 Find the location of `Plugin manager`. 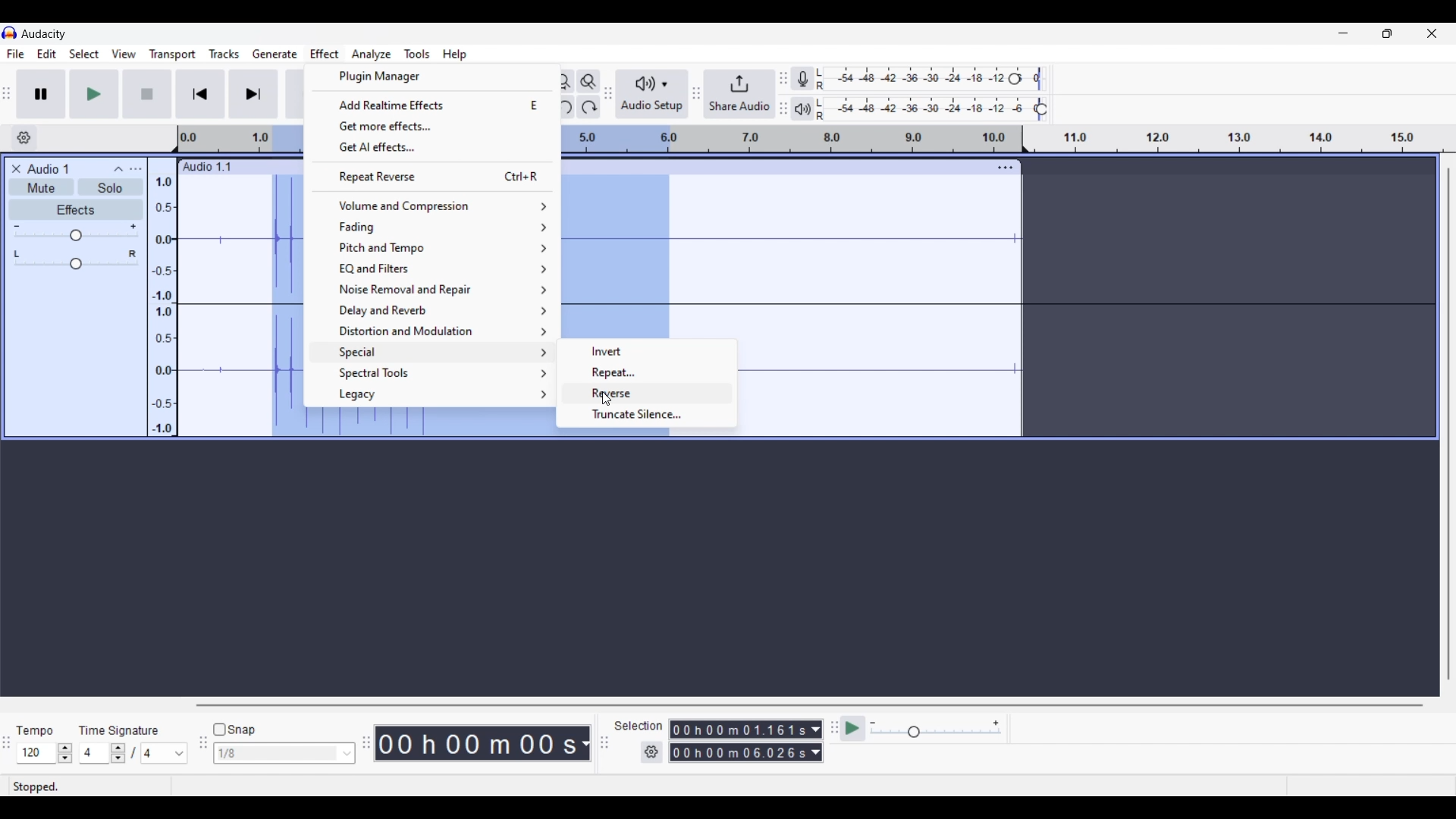

Plugin manager is located at coordinates (431, 77).